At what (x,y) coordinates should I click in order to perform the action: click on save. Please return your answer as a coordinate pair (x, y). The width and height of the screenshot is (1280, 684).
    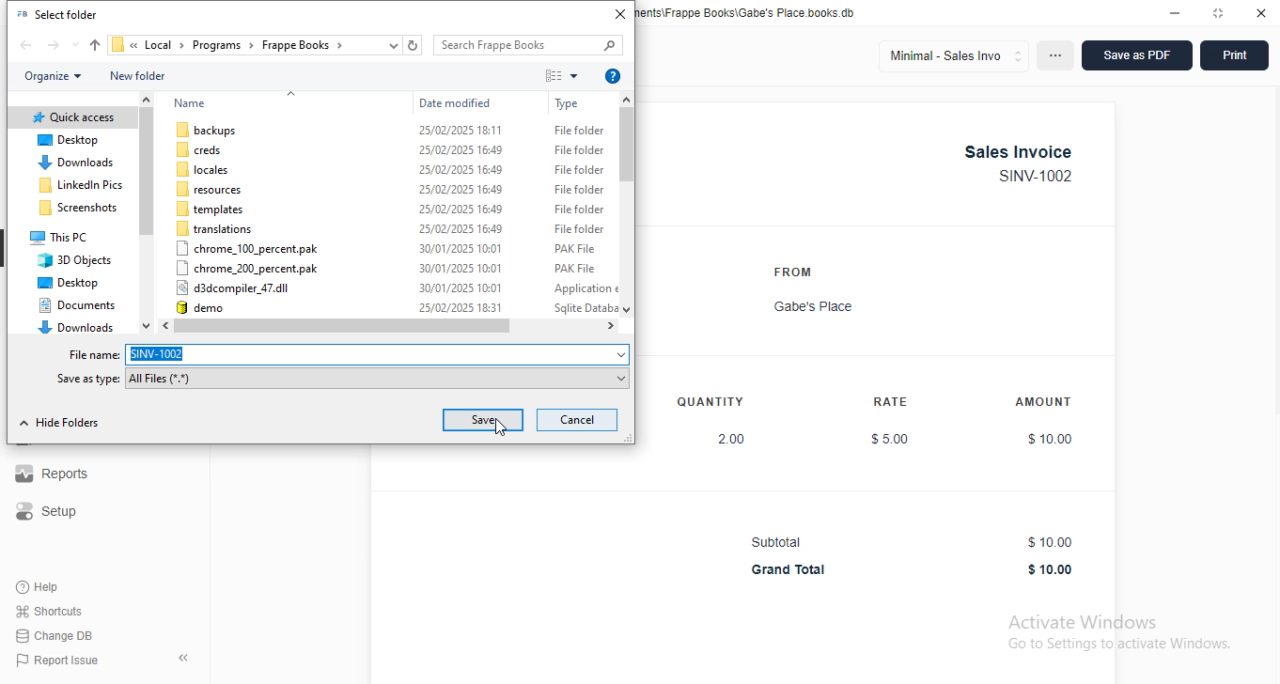
    Looking at the image, I should click on (482, 420).